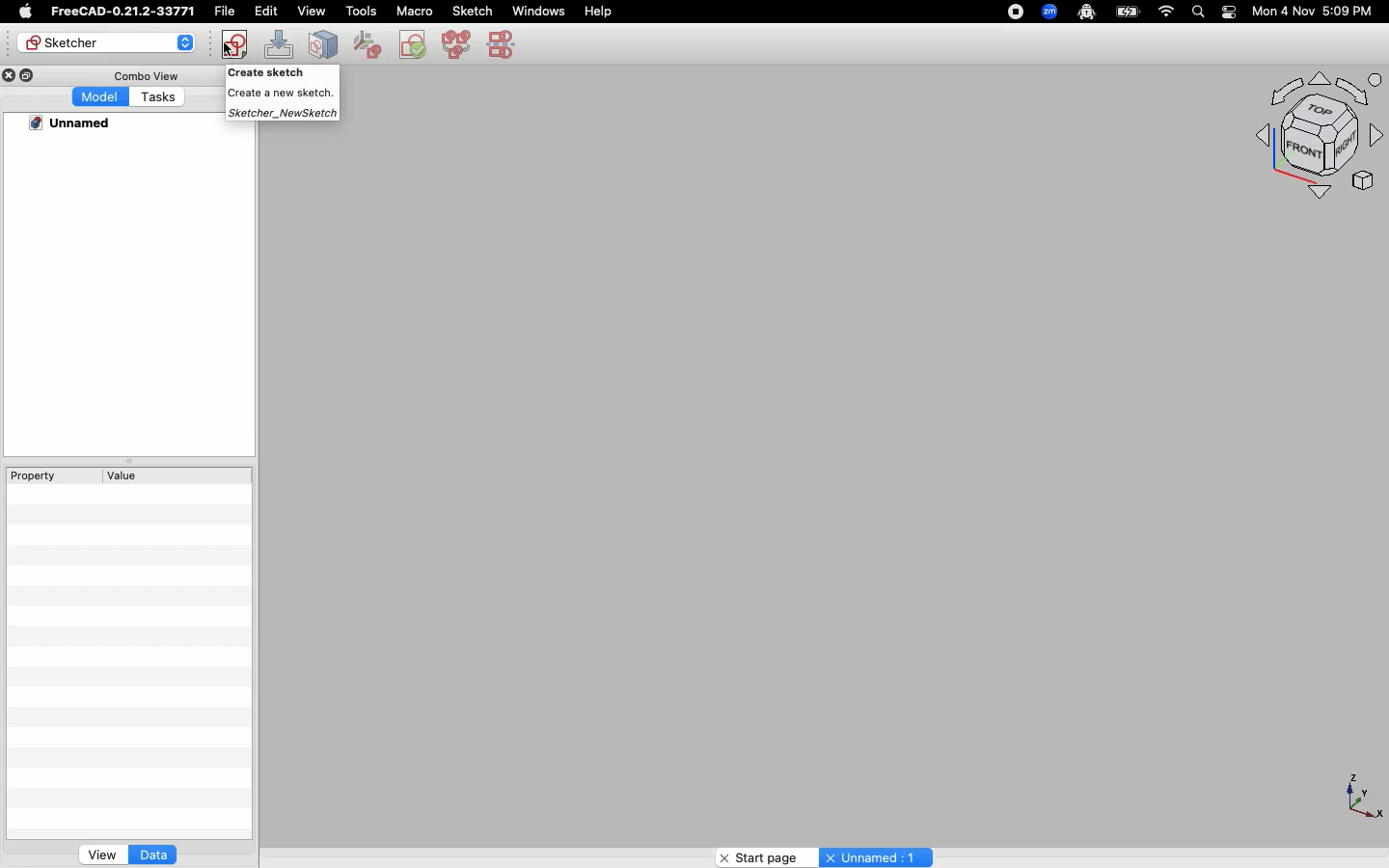  I want to click on Tools, so click(361, 13).